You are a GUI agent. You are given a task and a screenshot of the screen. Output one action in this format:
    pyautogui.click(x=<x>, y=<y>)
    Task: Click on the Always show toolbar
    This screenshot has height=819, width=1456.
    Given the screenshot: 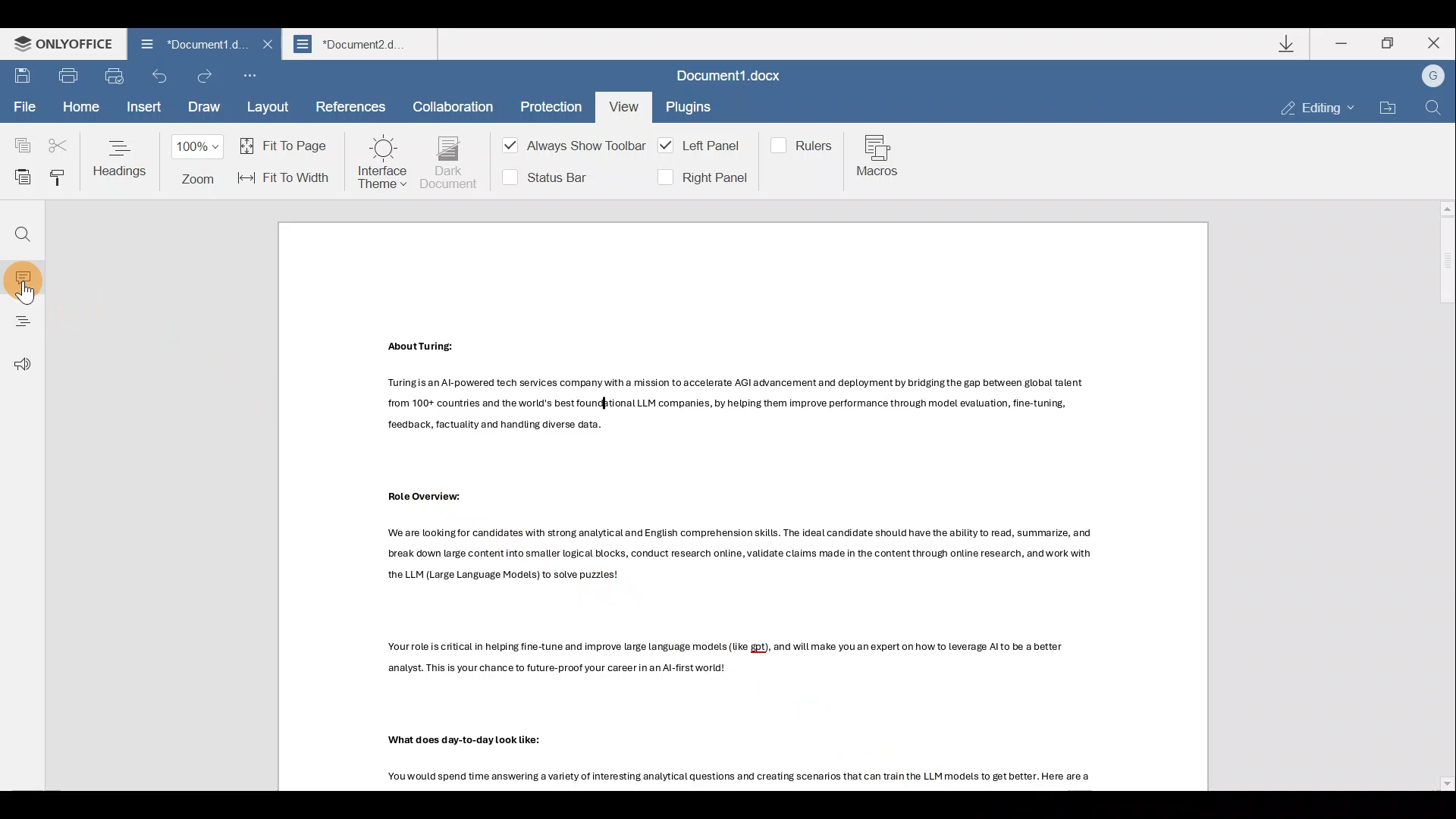 What is the action you would take?
    pyautogui.click(x=569, y=149)
    